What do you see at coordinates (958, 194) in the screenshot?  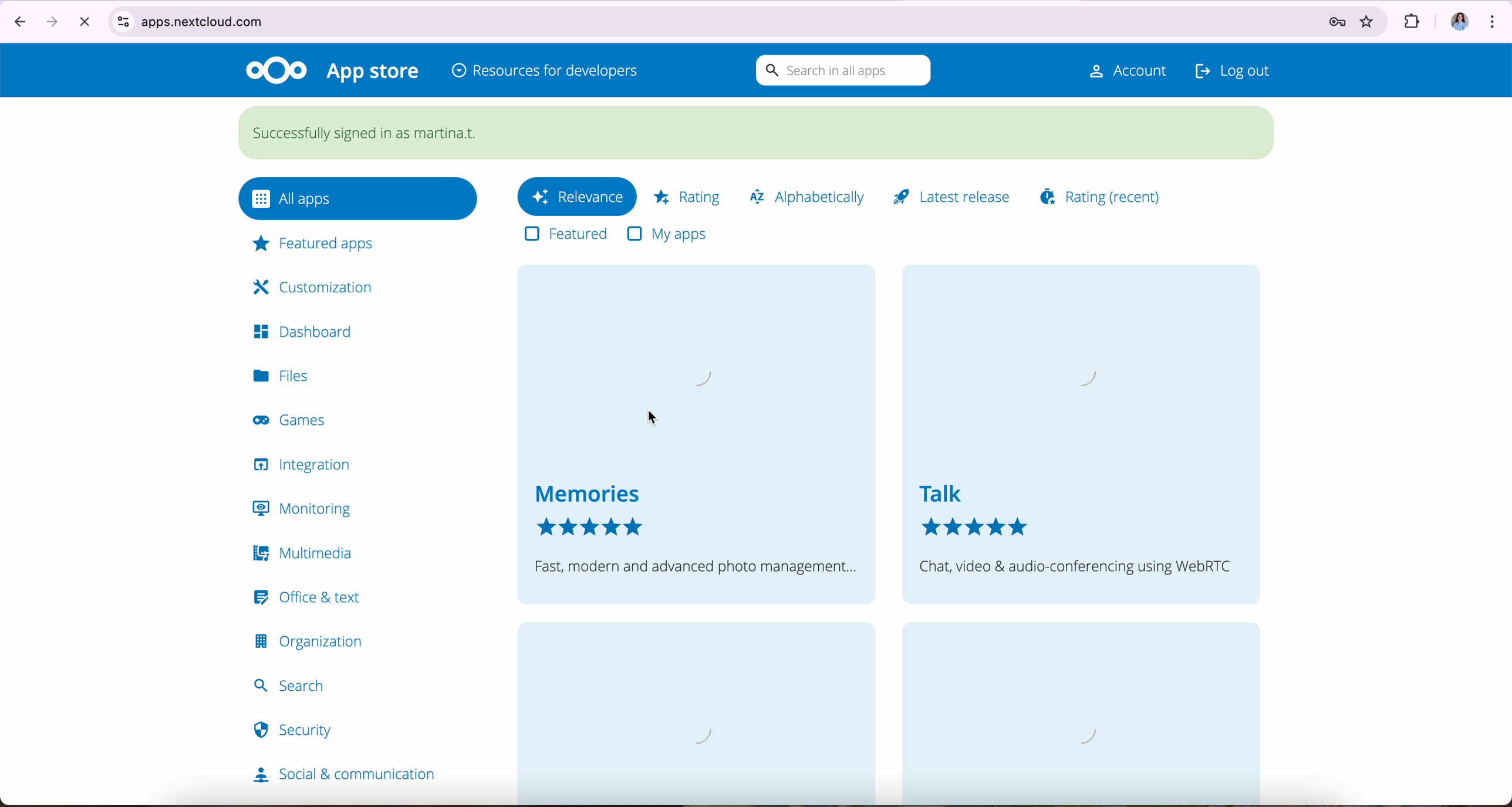 I see `latest release` at bounding box center [958, 194].